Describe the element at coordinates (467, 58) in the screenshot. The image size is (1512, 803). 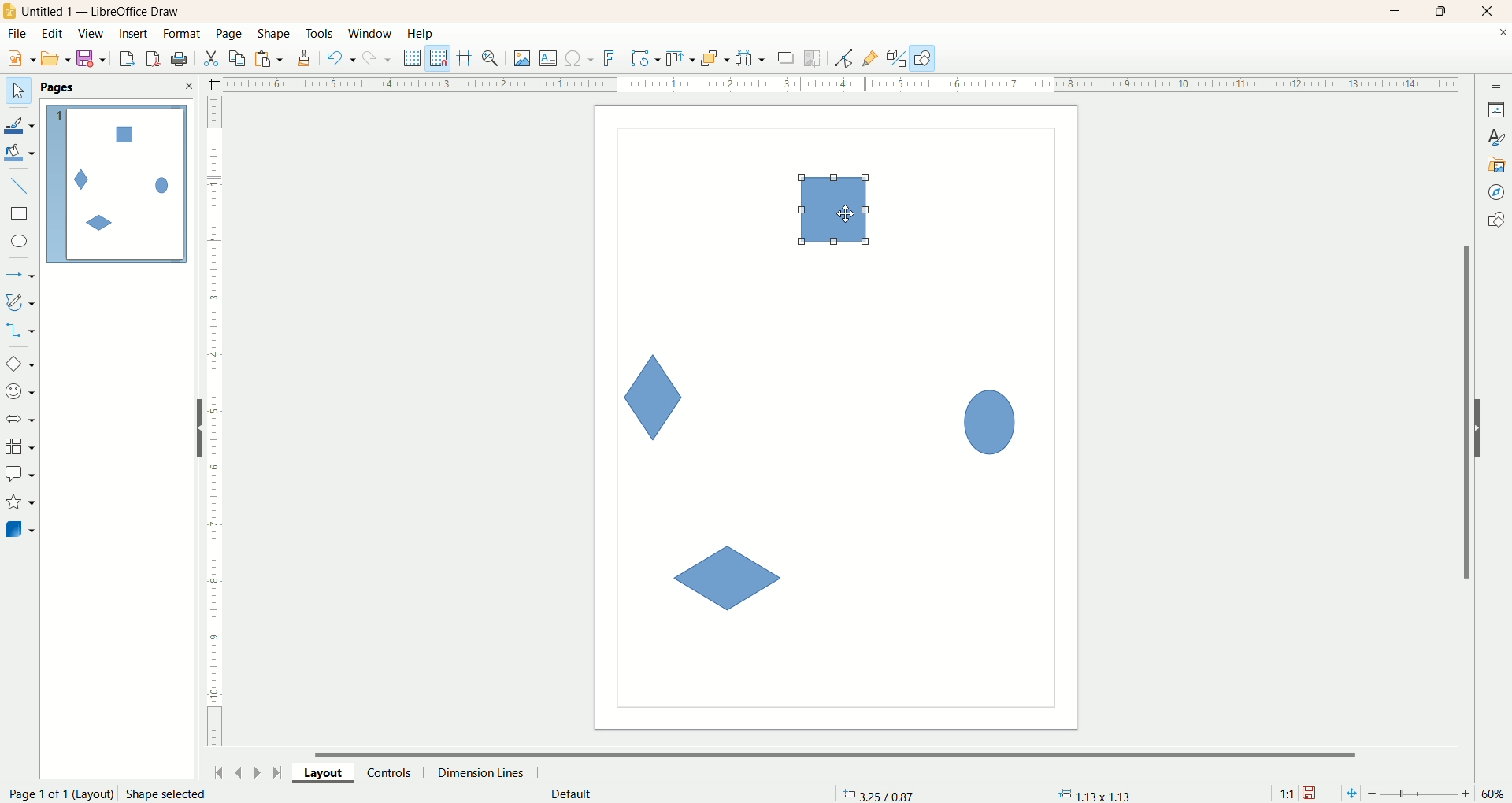
I see `helplines` at that location.